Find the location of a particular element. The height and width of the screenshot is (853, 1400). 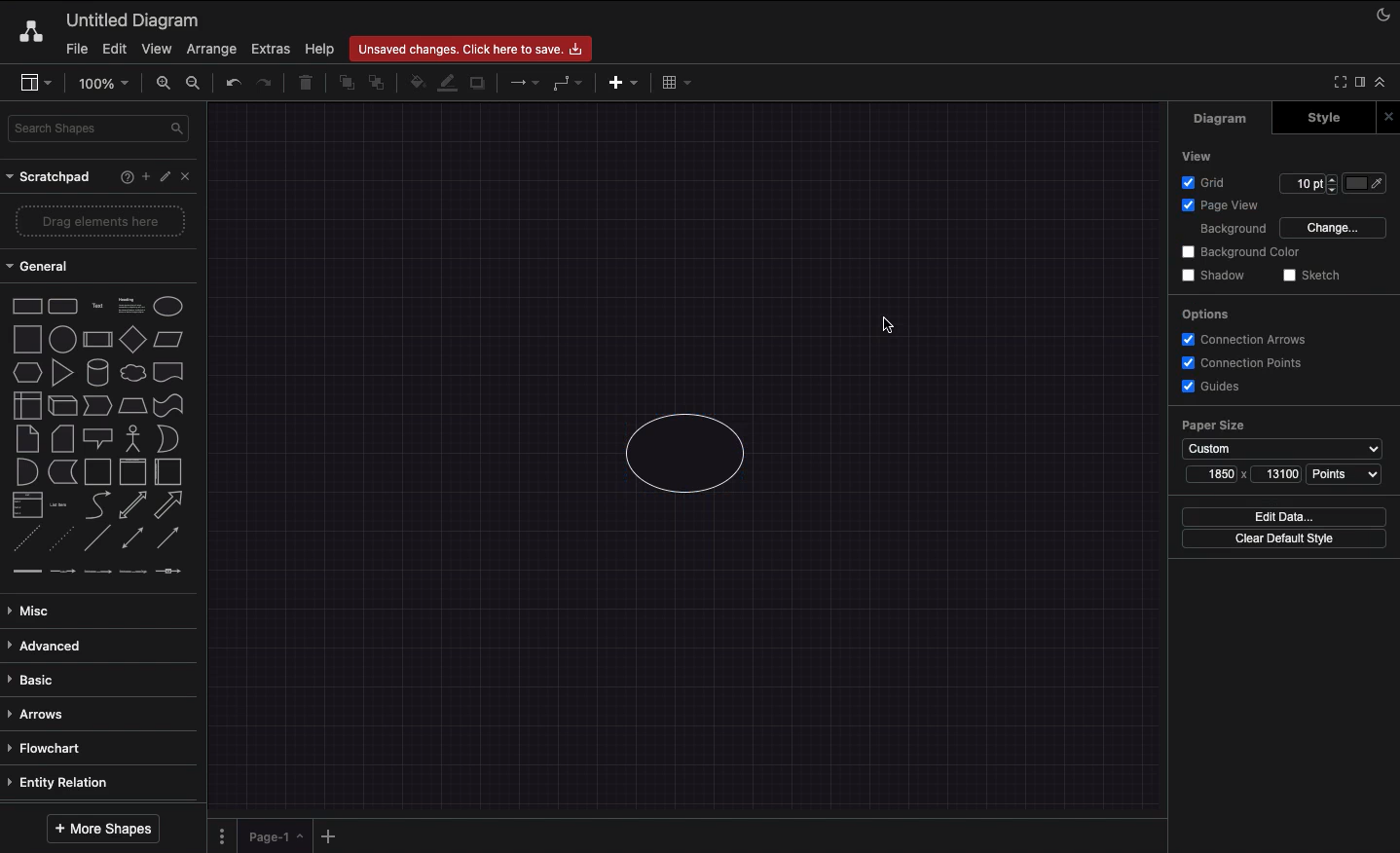

Clear default style is located at coordinates (1283, 539).